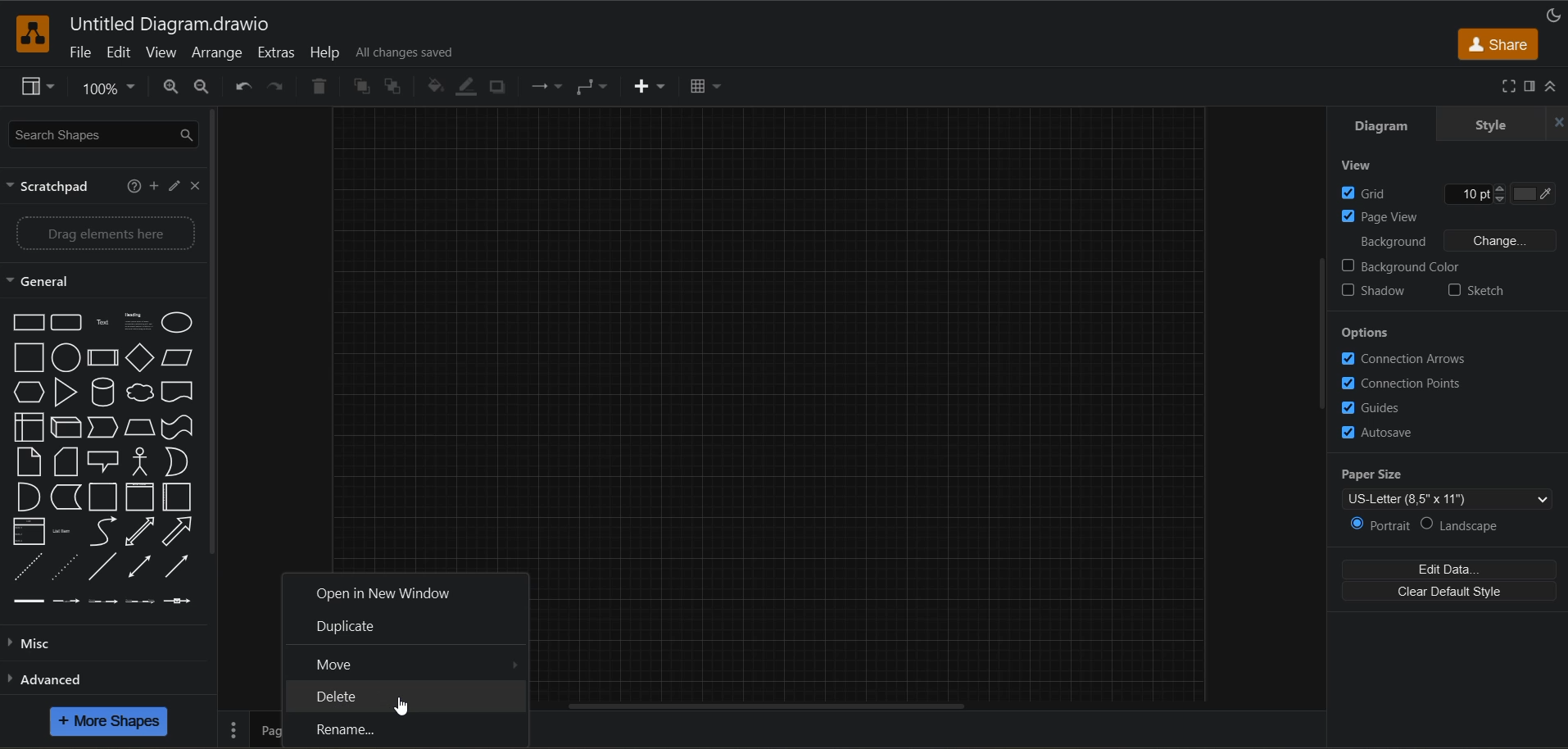 Image resolution: width=1568 pixels, height=749 pixels. Describe the element at coordinates (172, 186) in the screenshot. I see `edit` at that location.